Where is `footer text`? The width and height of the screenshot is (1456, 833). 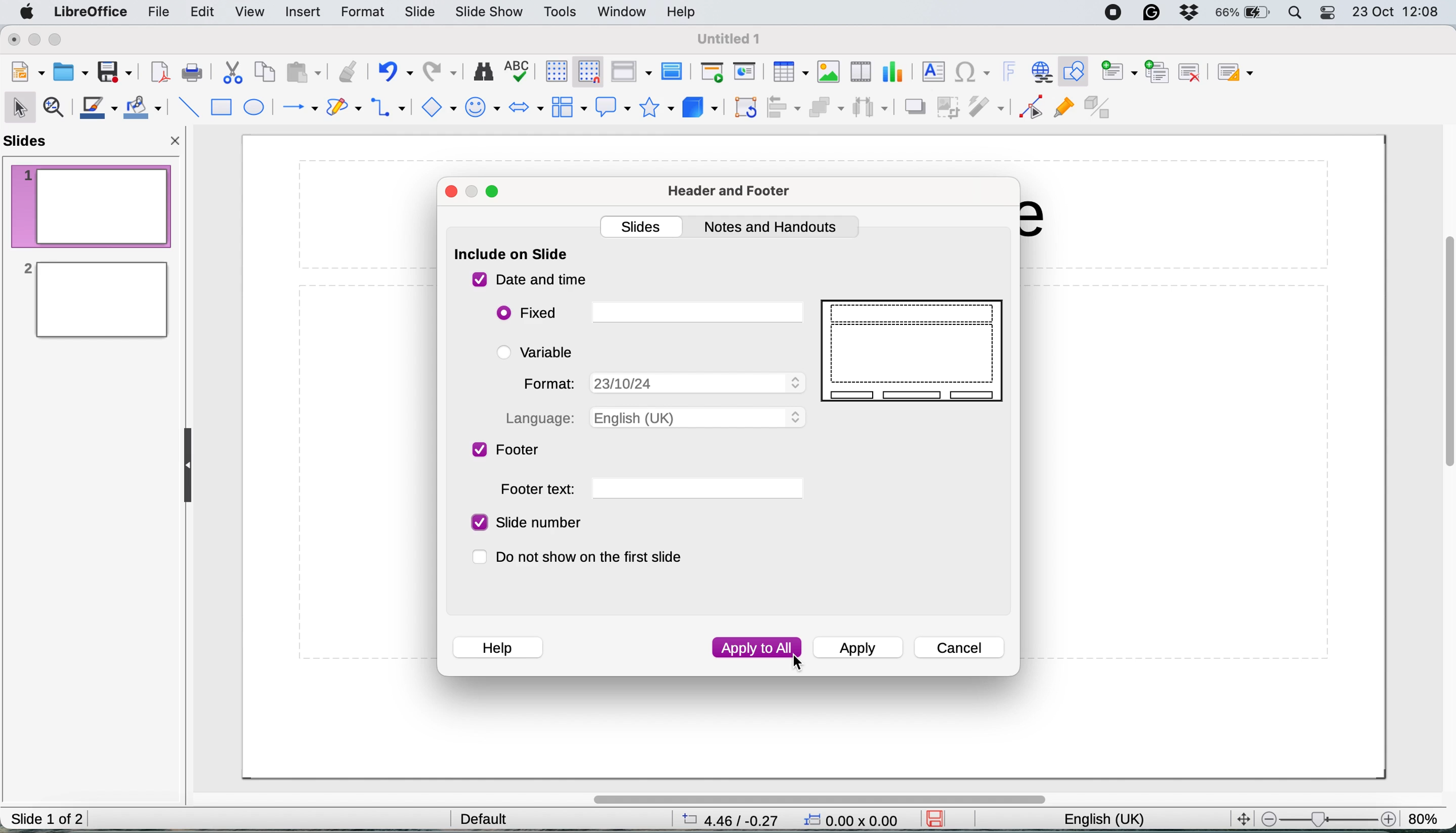
footer text is located at coordinates (651, 490).